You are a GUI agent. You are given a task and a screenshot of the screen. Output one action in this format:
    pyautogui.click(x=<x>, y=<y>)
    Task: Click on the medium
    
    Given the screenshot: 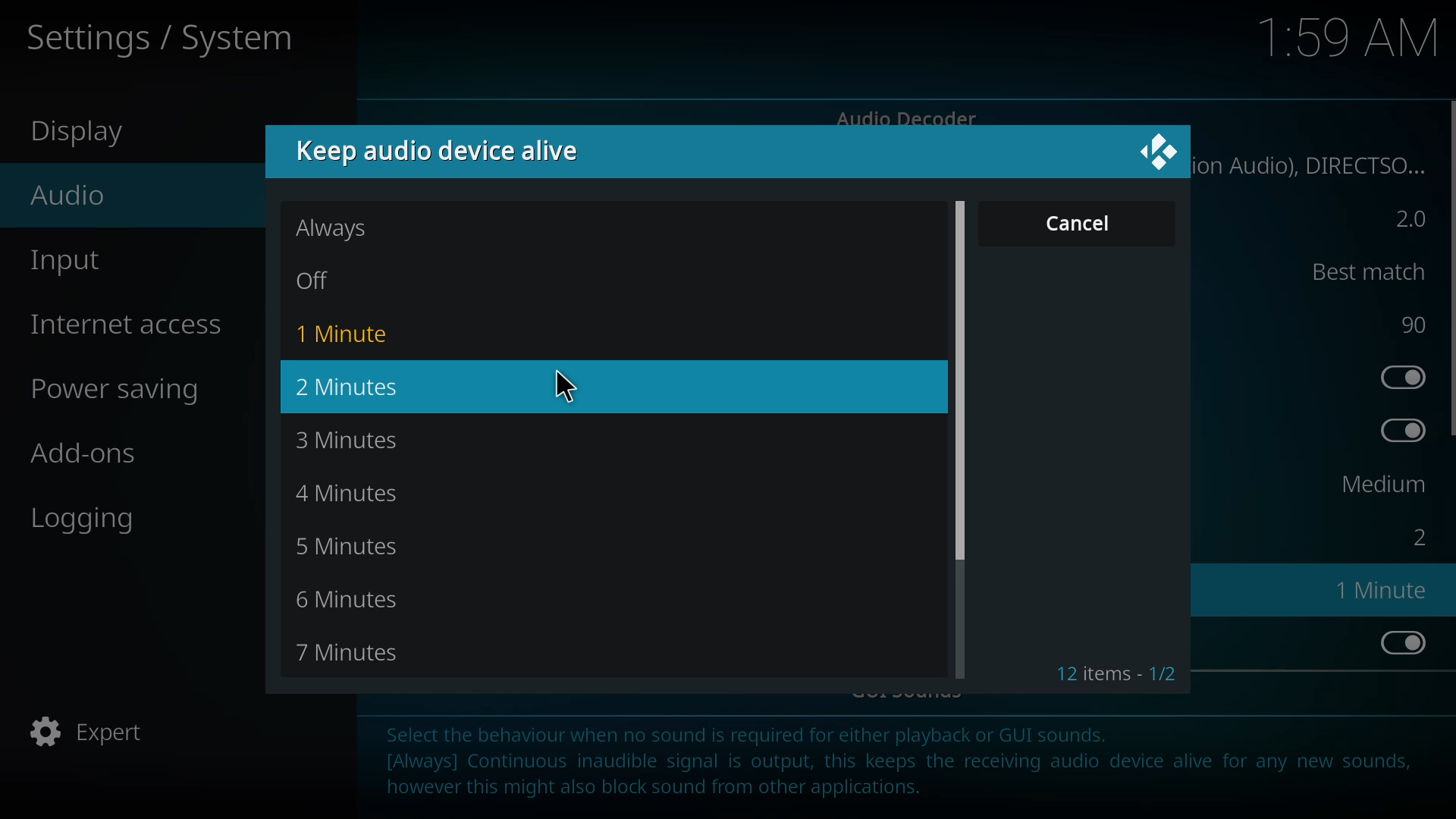 What is the action you would take?
    pyautogui.click(x=1380, y=485)
    